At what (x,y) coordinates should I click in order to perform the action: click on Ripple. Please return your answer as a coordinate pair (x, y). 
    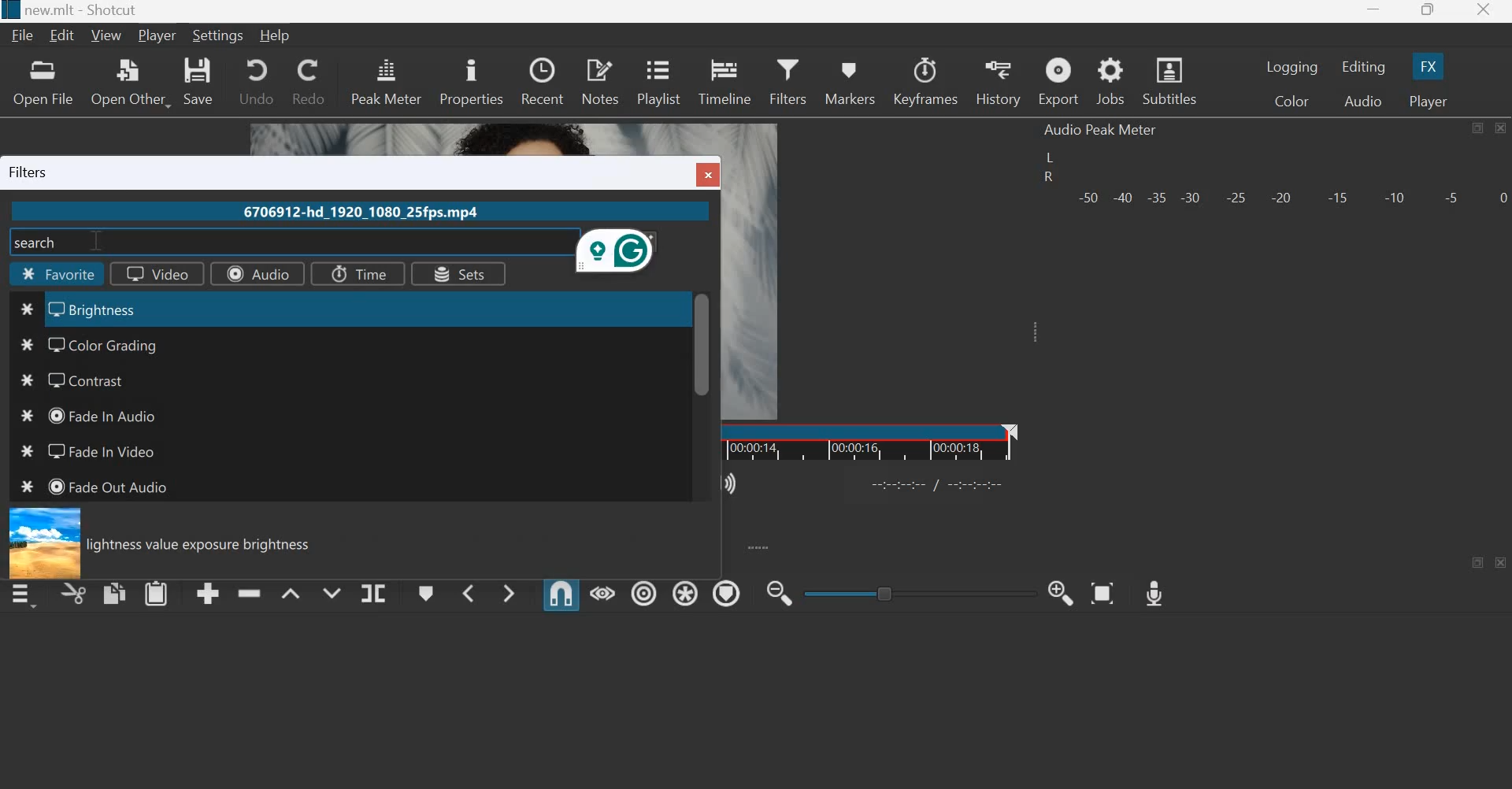
    Looking at the image, I should click on (644, 591).